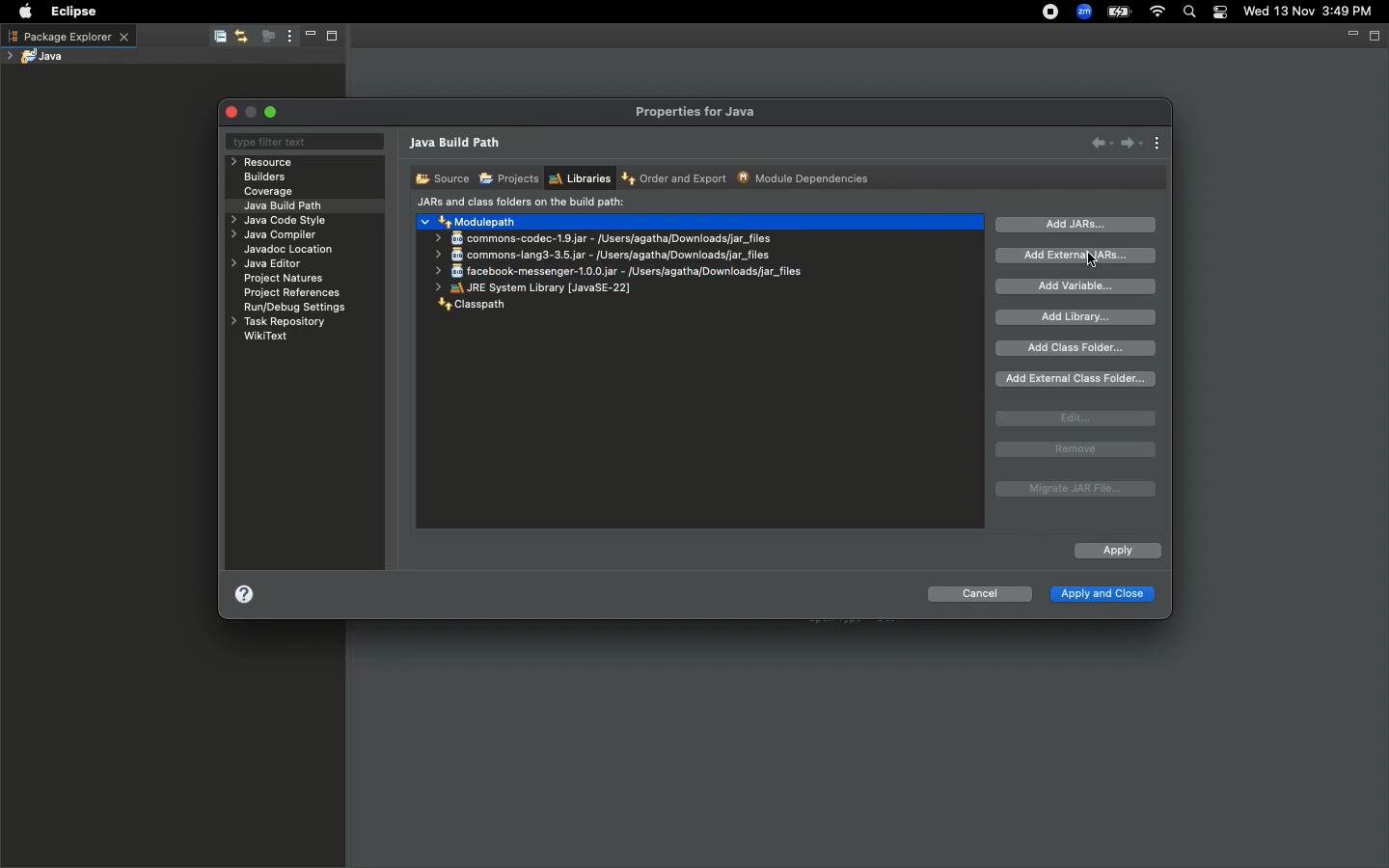  What do you see at coordinates (266, 38) in the screenshot?
I see `Focus on active task` at bounding box center [266, 38].